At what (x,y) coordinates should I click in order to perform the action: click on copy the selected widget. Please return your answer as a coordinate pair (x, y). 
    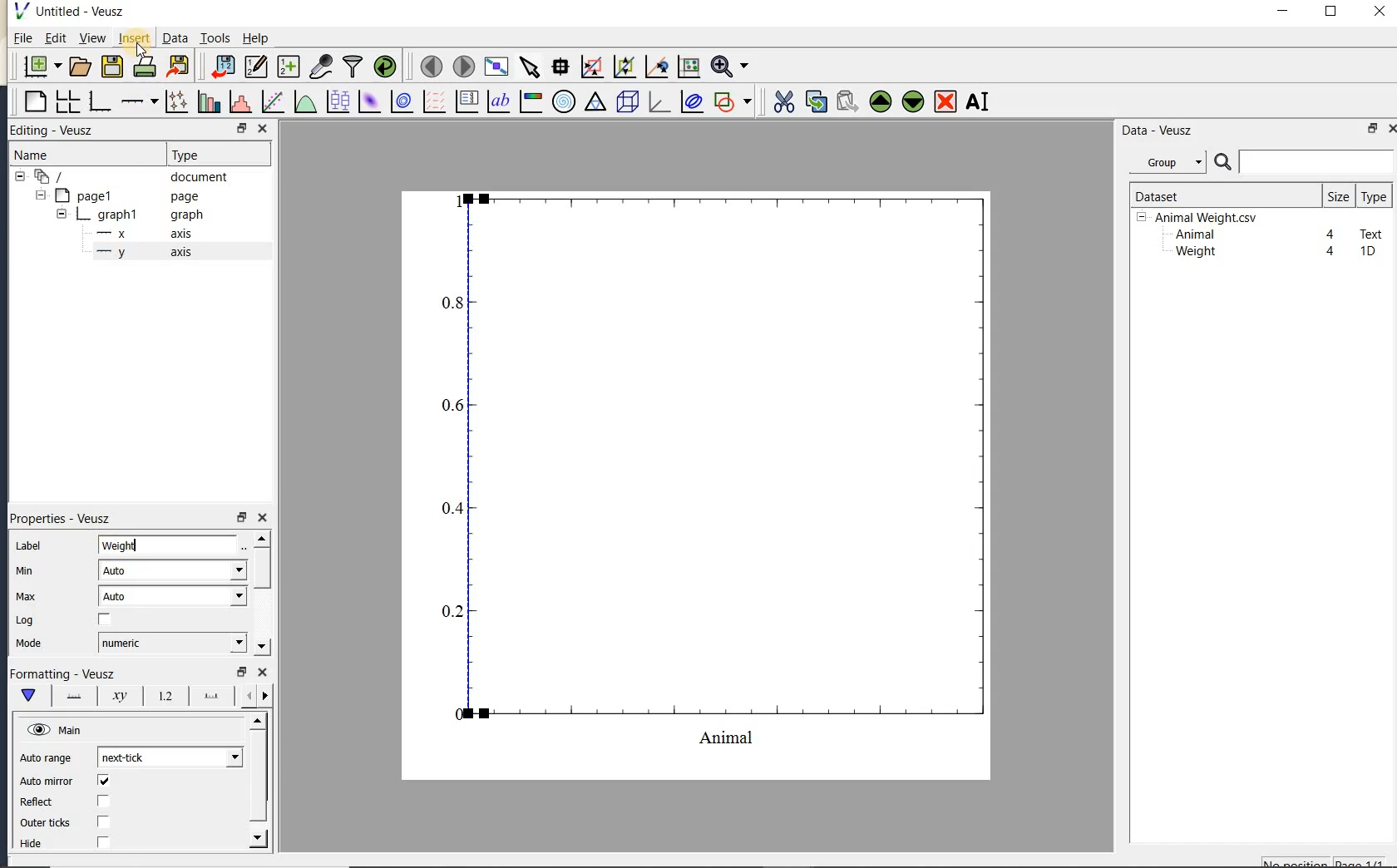
    Looking at the image, I should click on (814, 101).